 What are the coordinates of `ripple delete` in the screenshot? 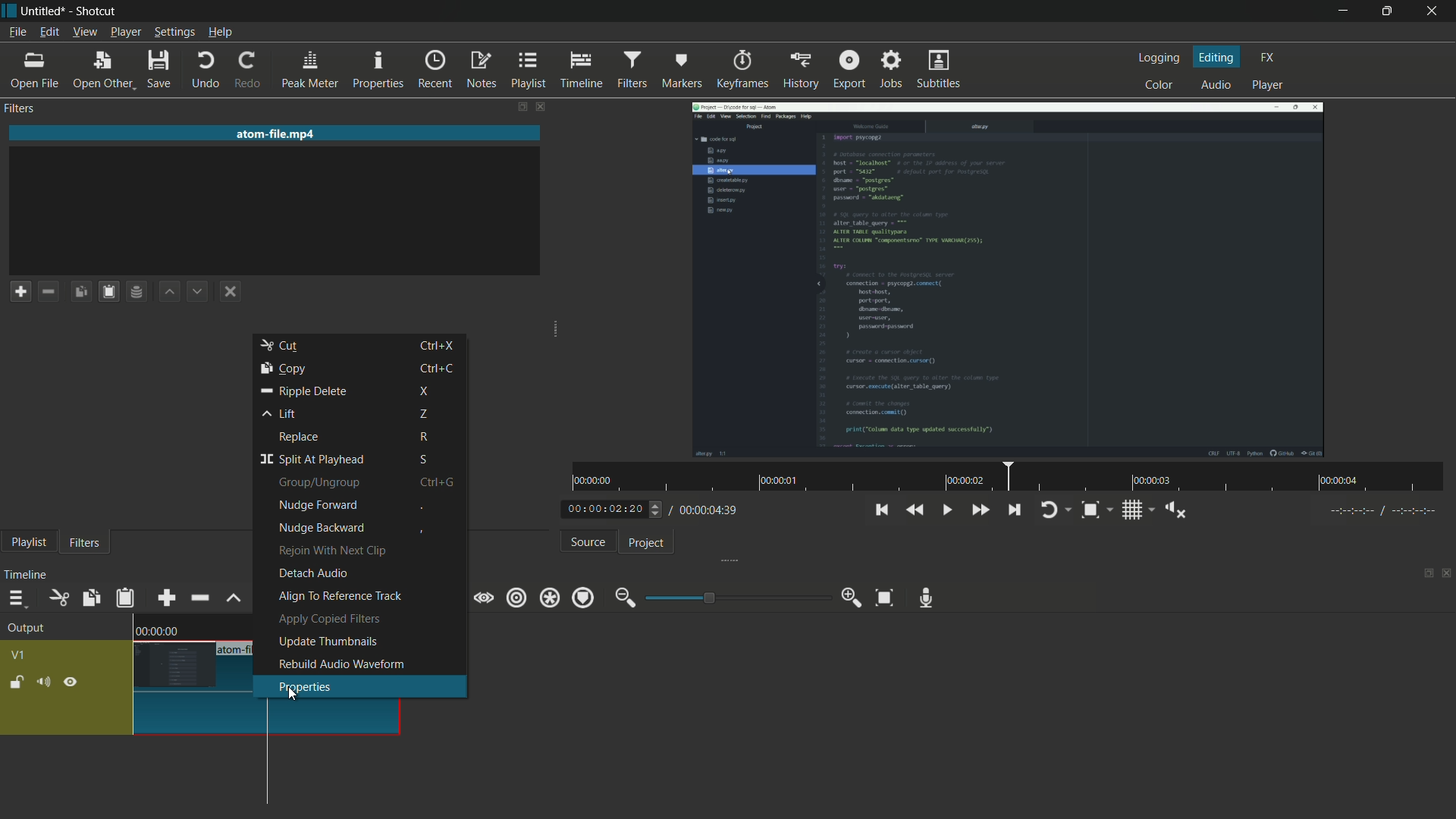 It's located at (303, 391).